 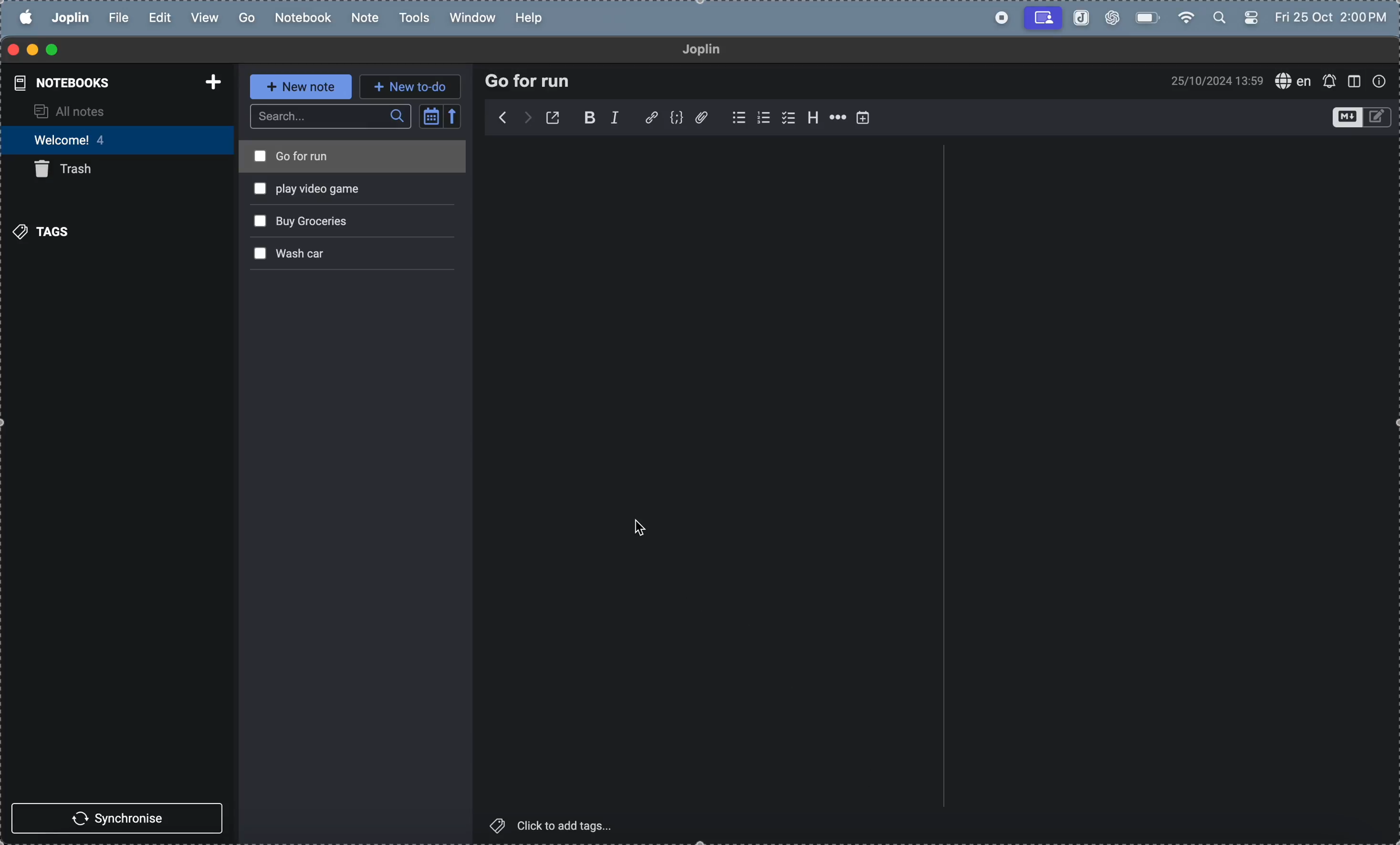 I want to click on italic, so click(x=620, y=118).